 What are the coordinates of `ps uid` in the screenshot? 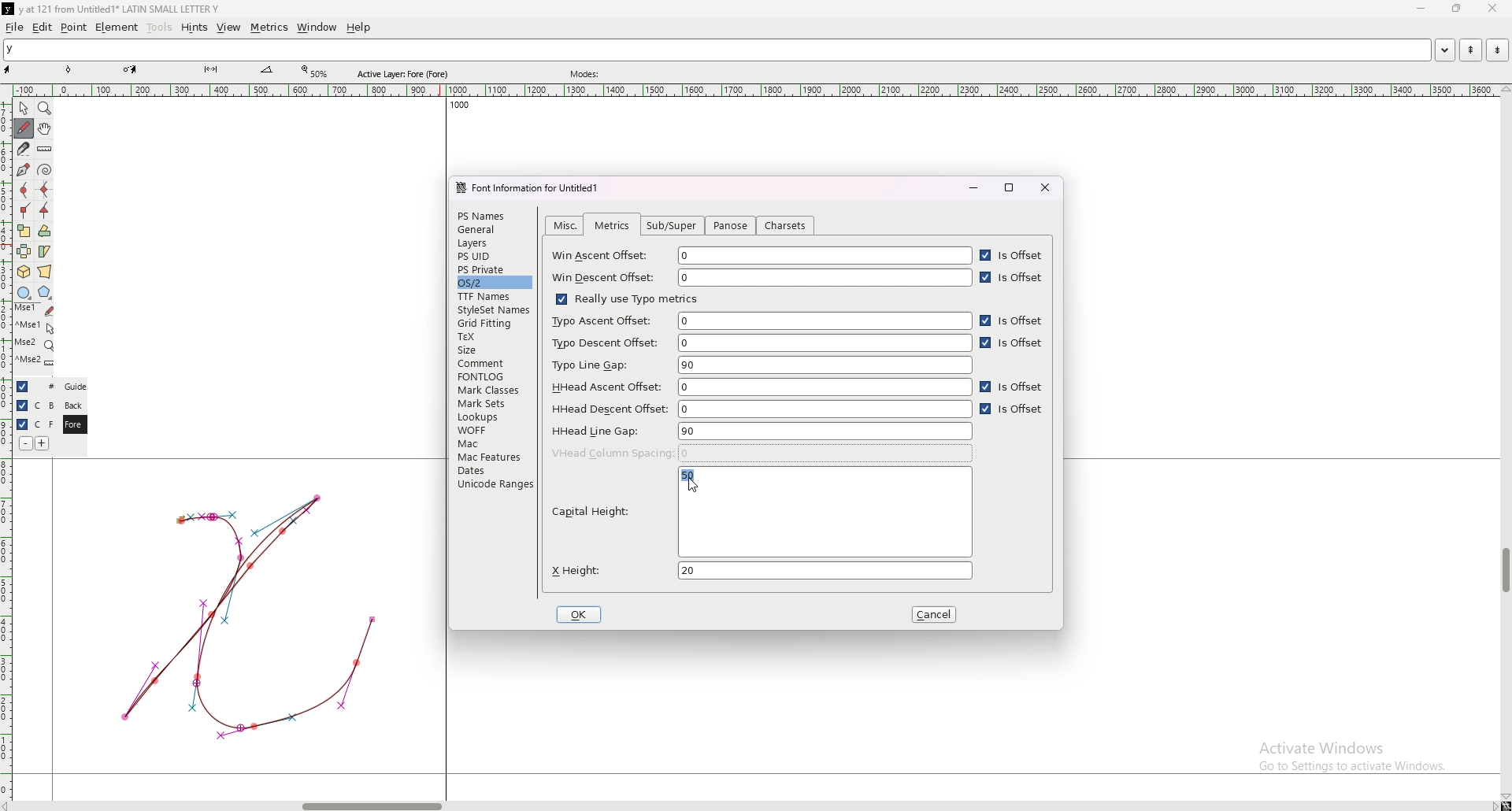 It's located at (494, 257).